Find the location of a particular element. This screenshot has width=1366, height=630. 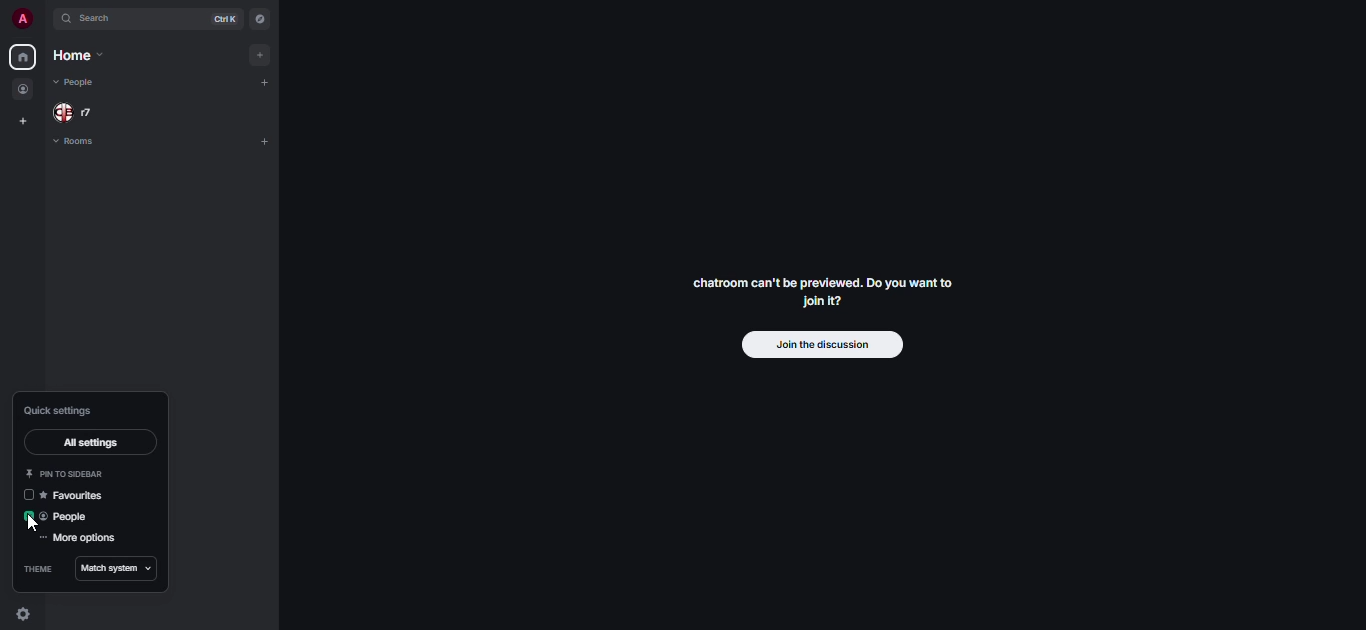

people is located at coordinates (24, 90).